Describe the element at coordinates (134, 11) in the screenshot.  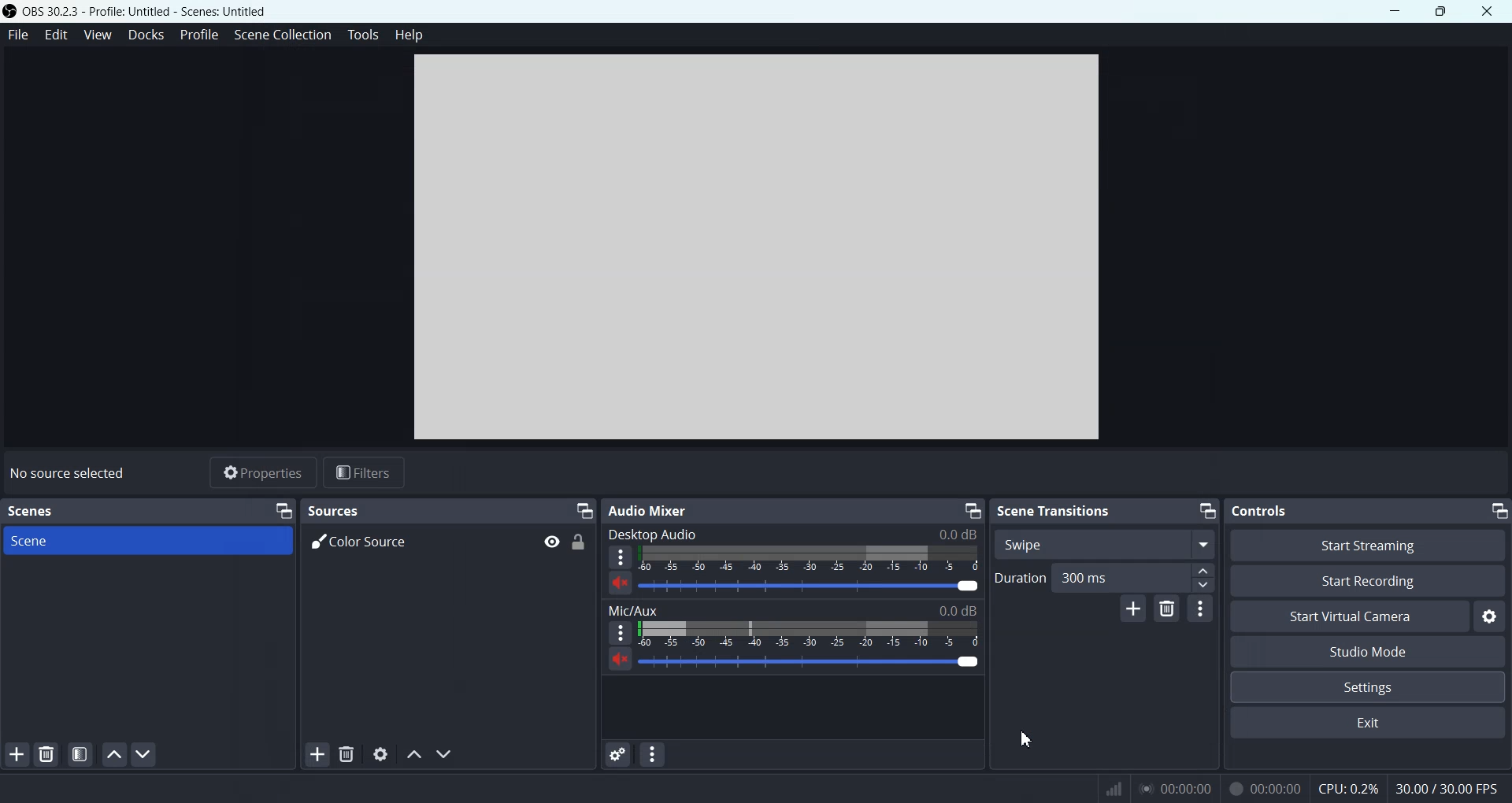
I see `Logo` at that location.